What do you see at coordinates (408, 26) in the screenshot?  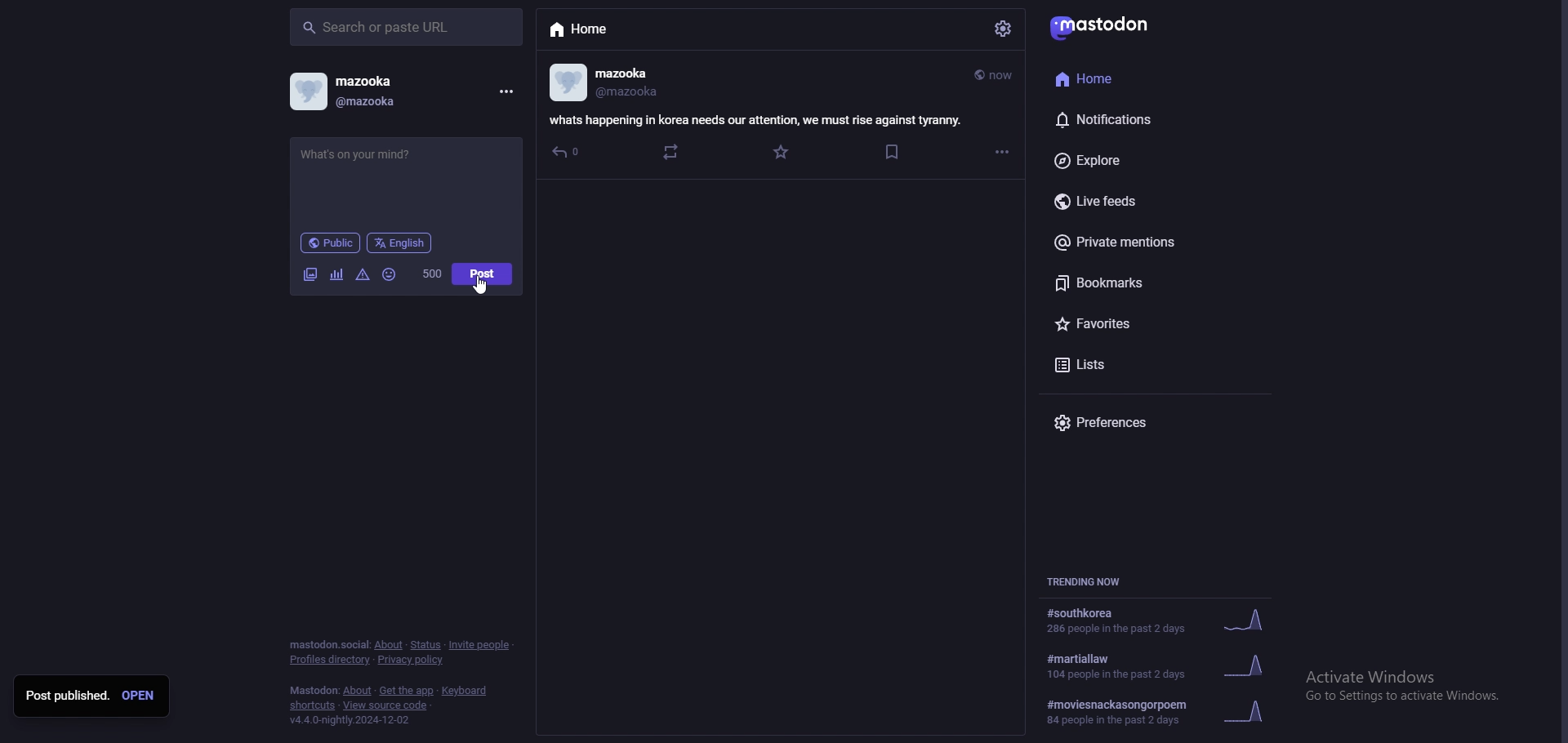 I see `search bar` at bounding box center [408, 26].